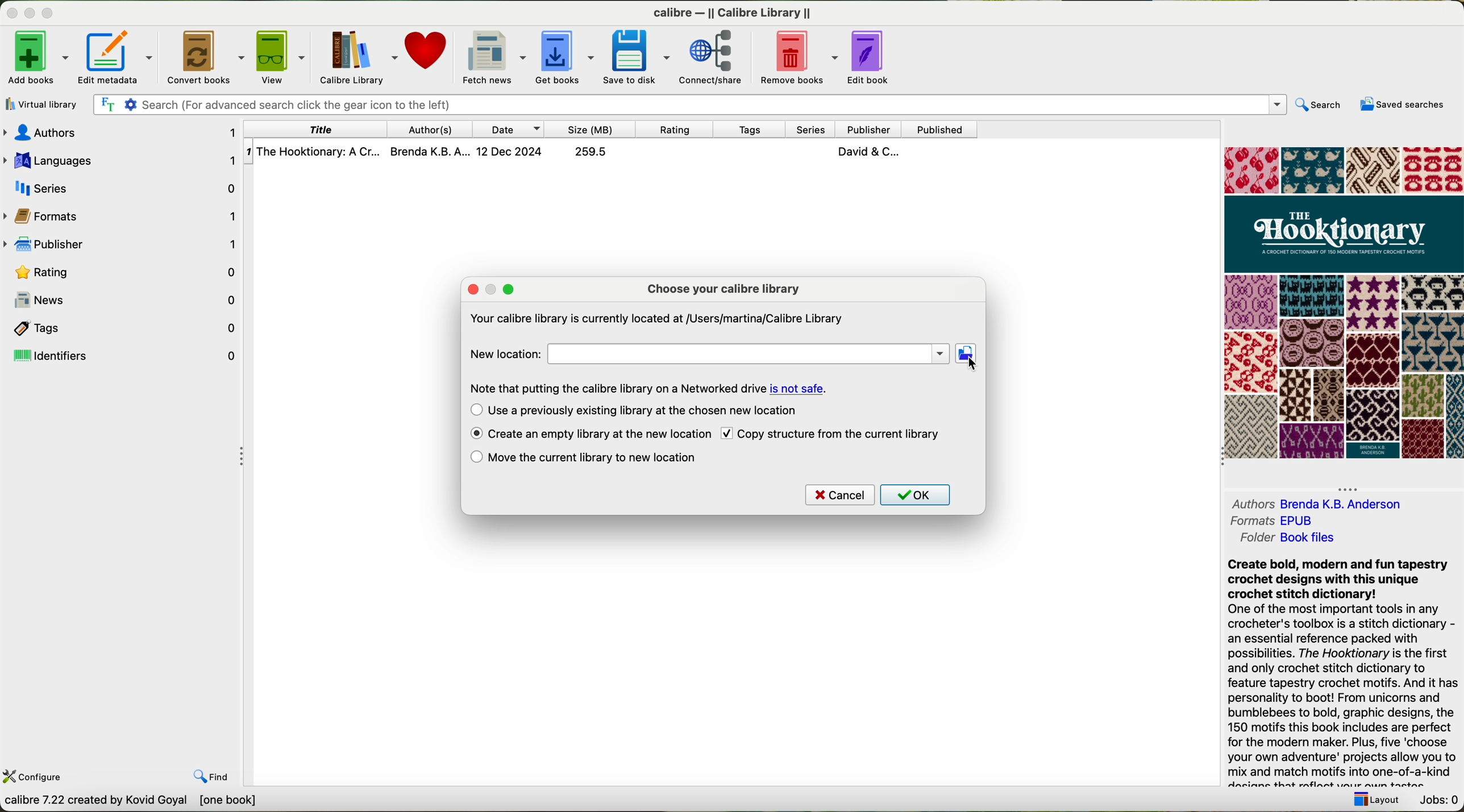 The image size is (1464, 812). What do you see at coordinates (917, 495) in the screenshot?
I see `OK` at bounding box center [917, 495].